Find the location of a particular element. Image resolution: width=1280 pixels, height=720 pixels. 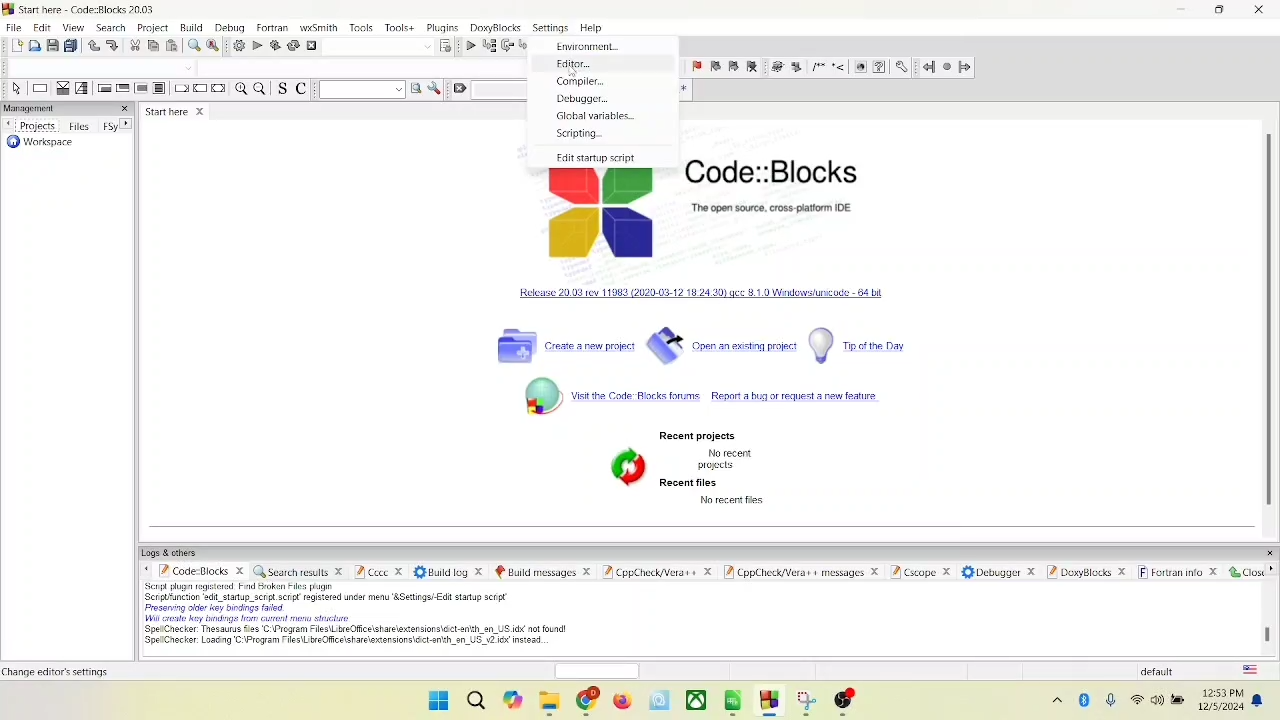

build message is located at coordinates (540, 570).